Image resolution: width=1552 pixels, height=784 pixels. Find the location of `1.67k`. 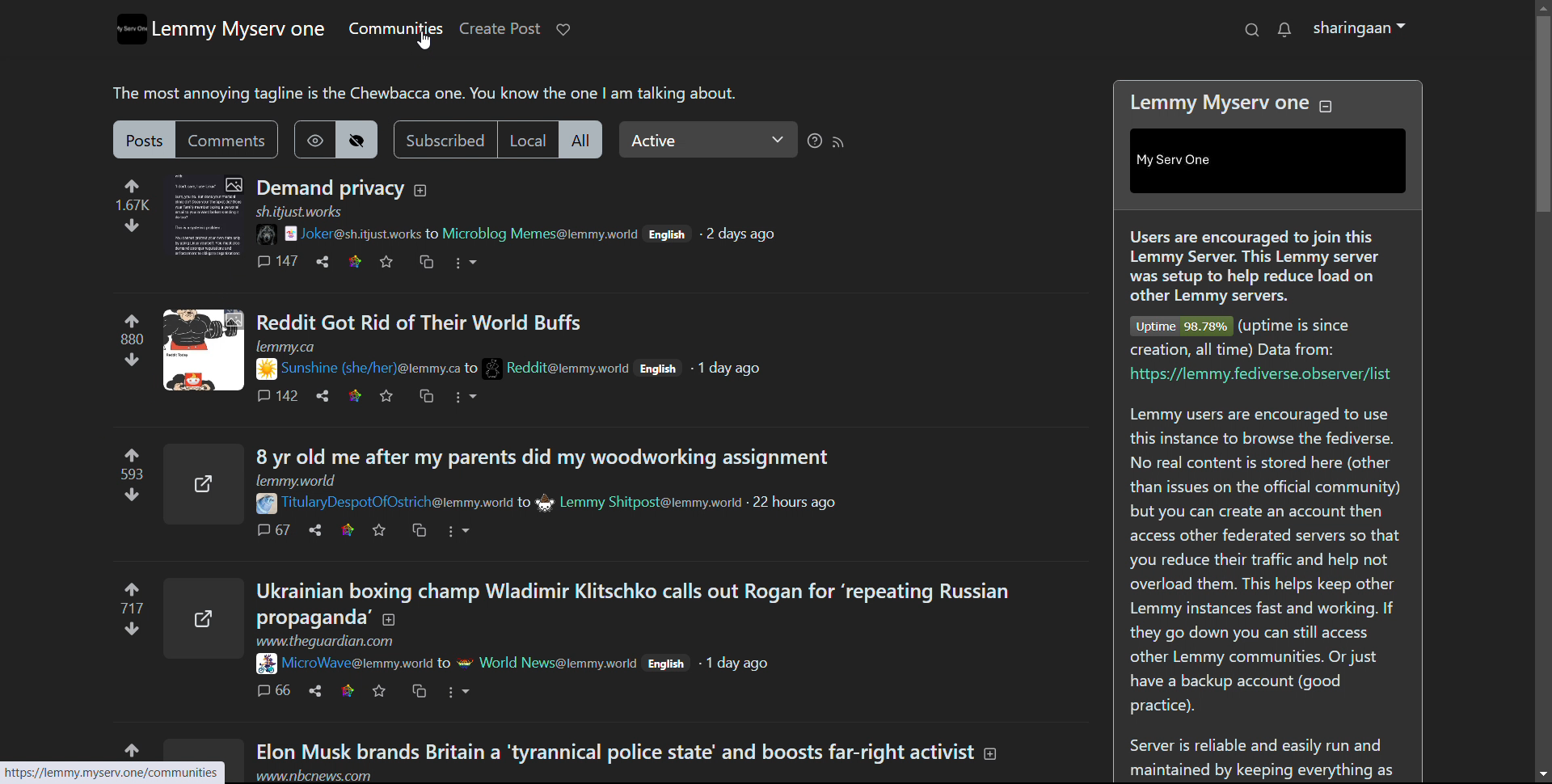

1.67k is located at coordinates (132, 204).